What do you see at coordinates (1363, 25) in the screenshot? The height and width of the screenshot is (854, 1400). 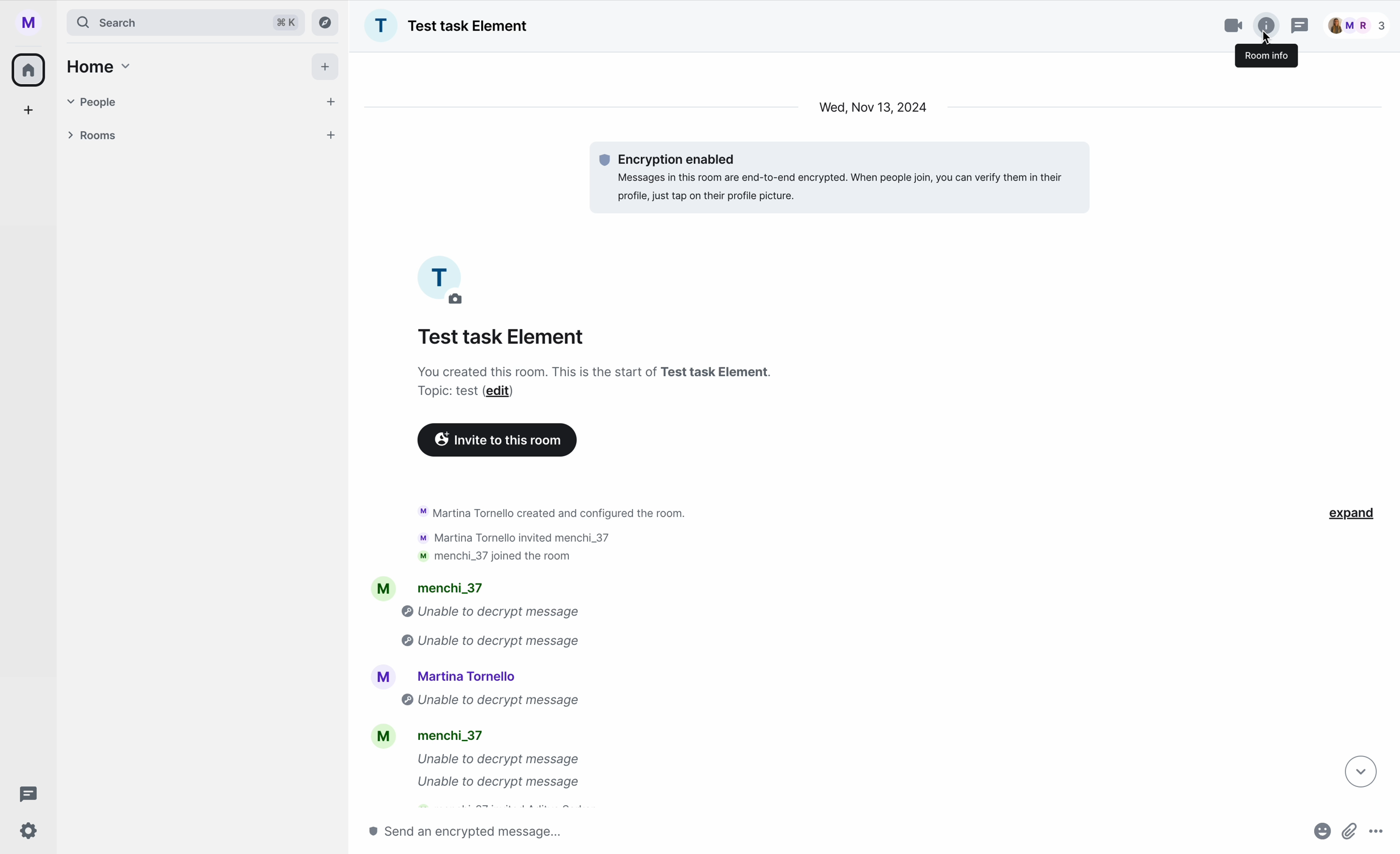 I see `people` at bounding box center [1363, 25].